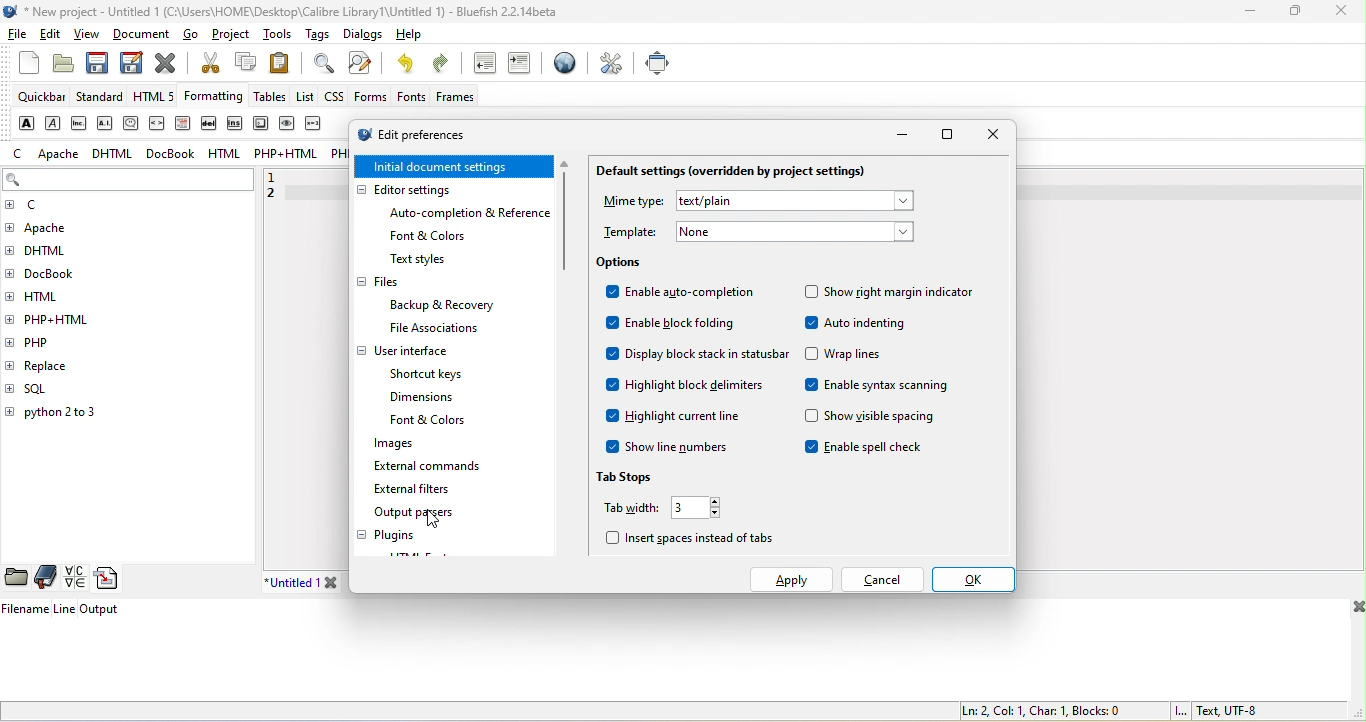 The width and height of the screenshot is (1366, 722). What do you see at coordinates (222, 153) in the screenshot?
I see `html` at bounding box center [222, 153].